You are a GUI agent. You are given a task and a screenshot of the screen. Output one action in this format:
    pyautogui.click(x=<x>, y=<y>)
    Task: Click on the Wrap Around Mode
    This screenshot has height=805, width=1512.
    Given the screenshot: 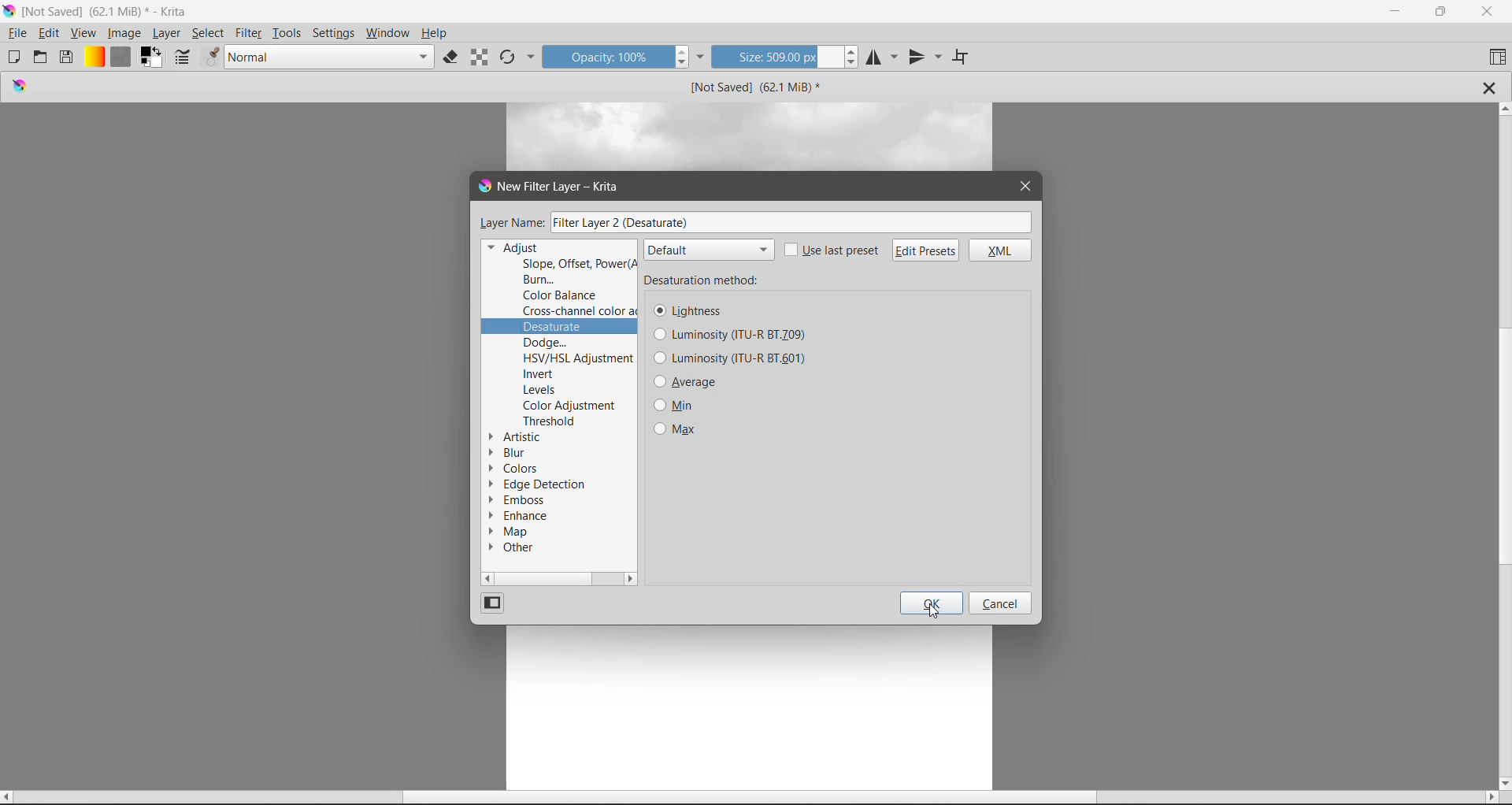 What is the action you would take?
    pyautogui.click(x=961, y=58)
    